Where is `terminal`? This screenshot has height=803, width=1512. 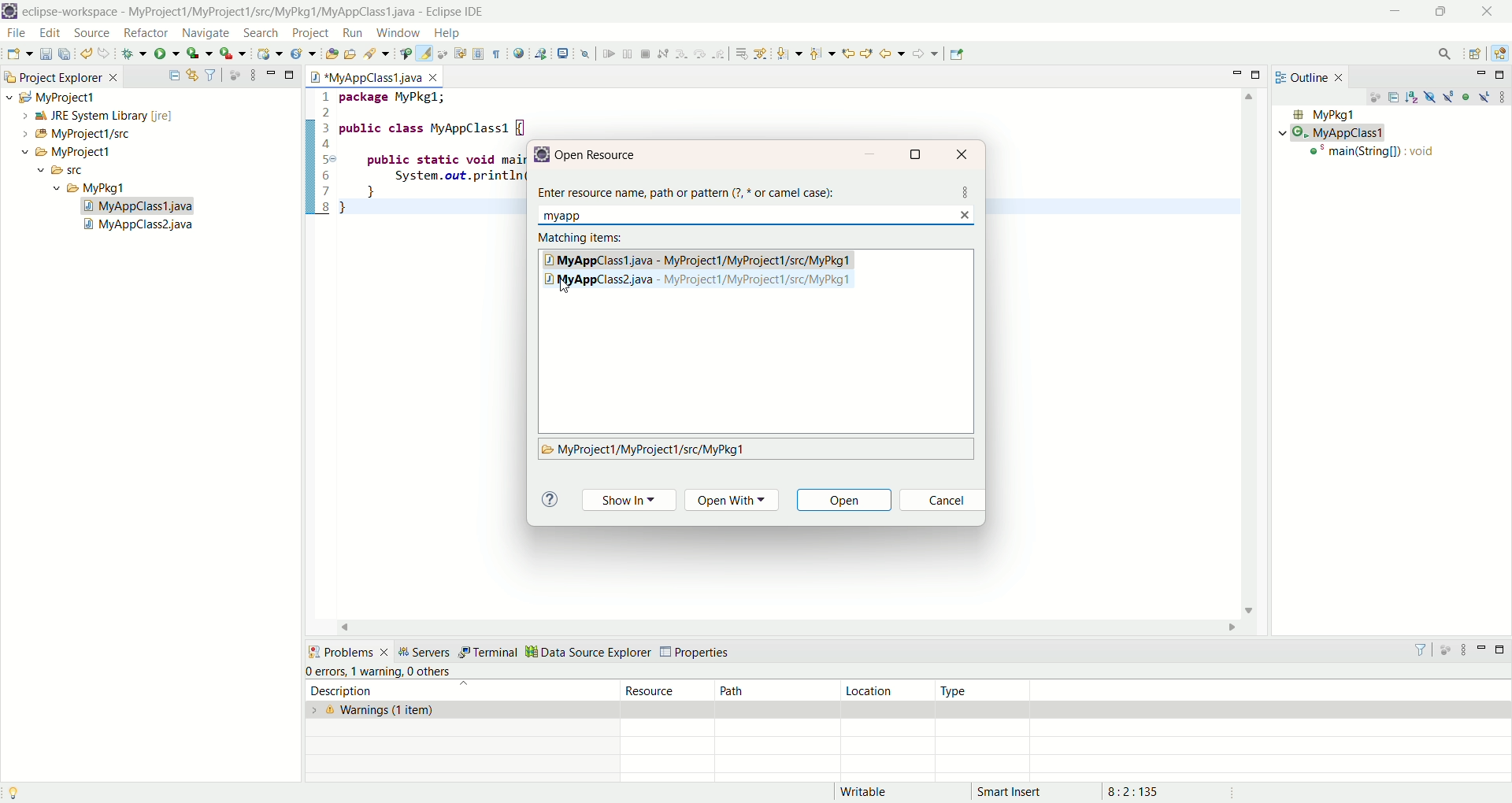
terminal is located at coordinates (487, 653).